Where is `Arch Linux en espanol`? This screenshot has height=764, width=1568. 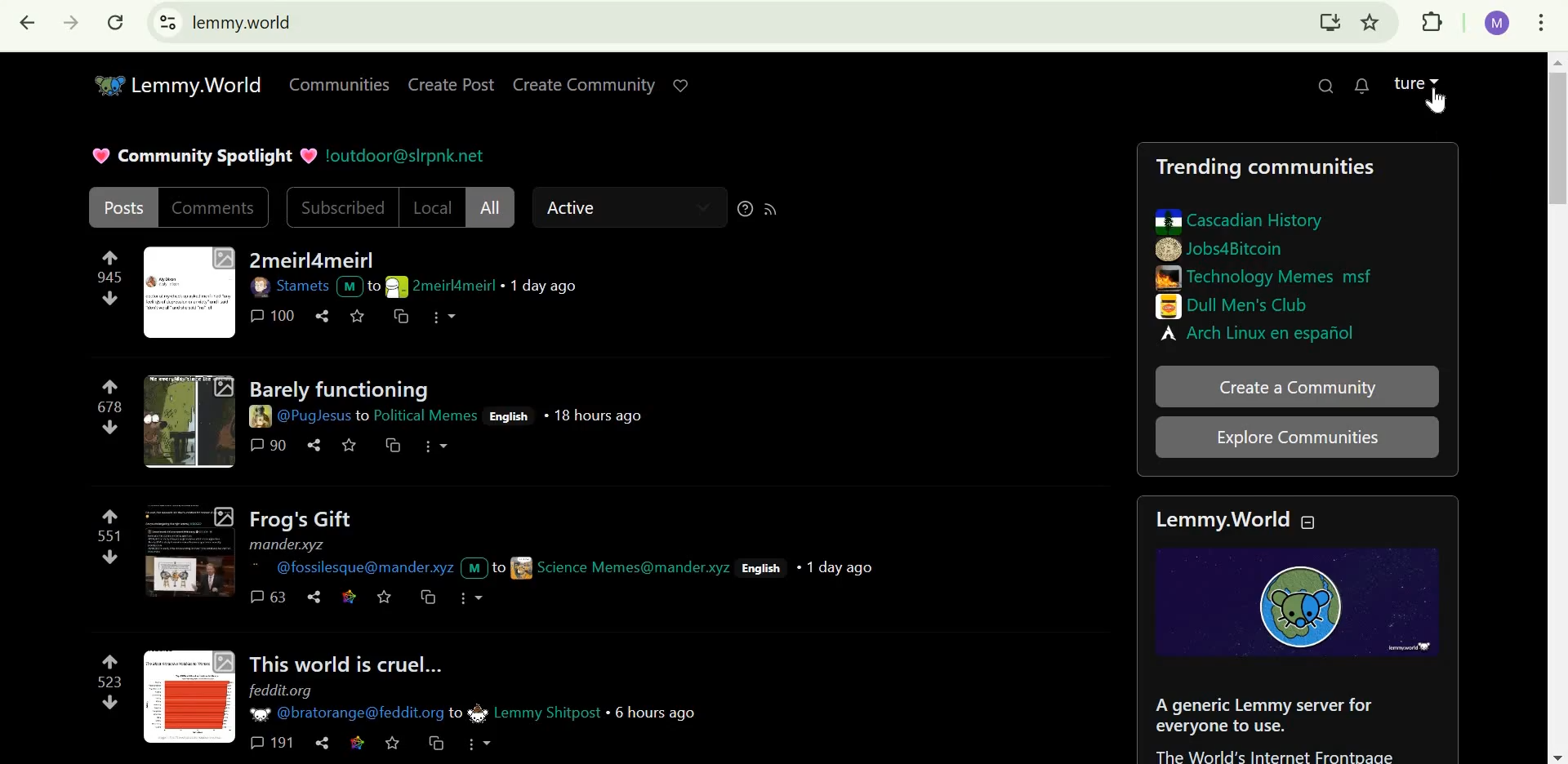 Arch Linux en espanol is located at coordinates (1263, 332).